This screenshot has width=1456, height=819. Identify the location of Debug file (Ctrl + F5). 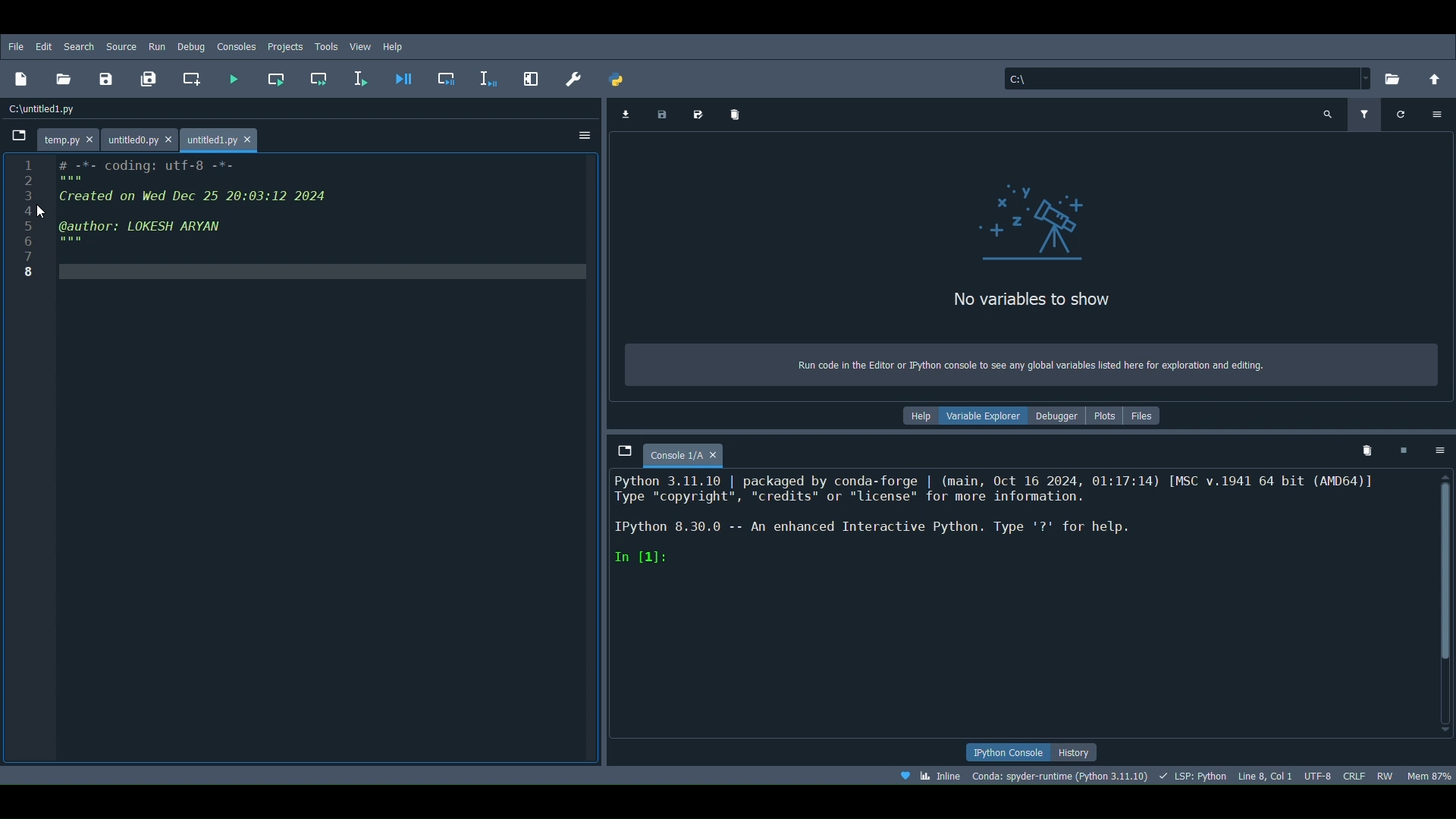
(403, 76).